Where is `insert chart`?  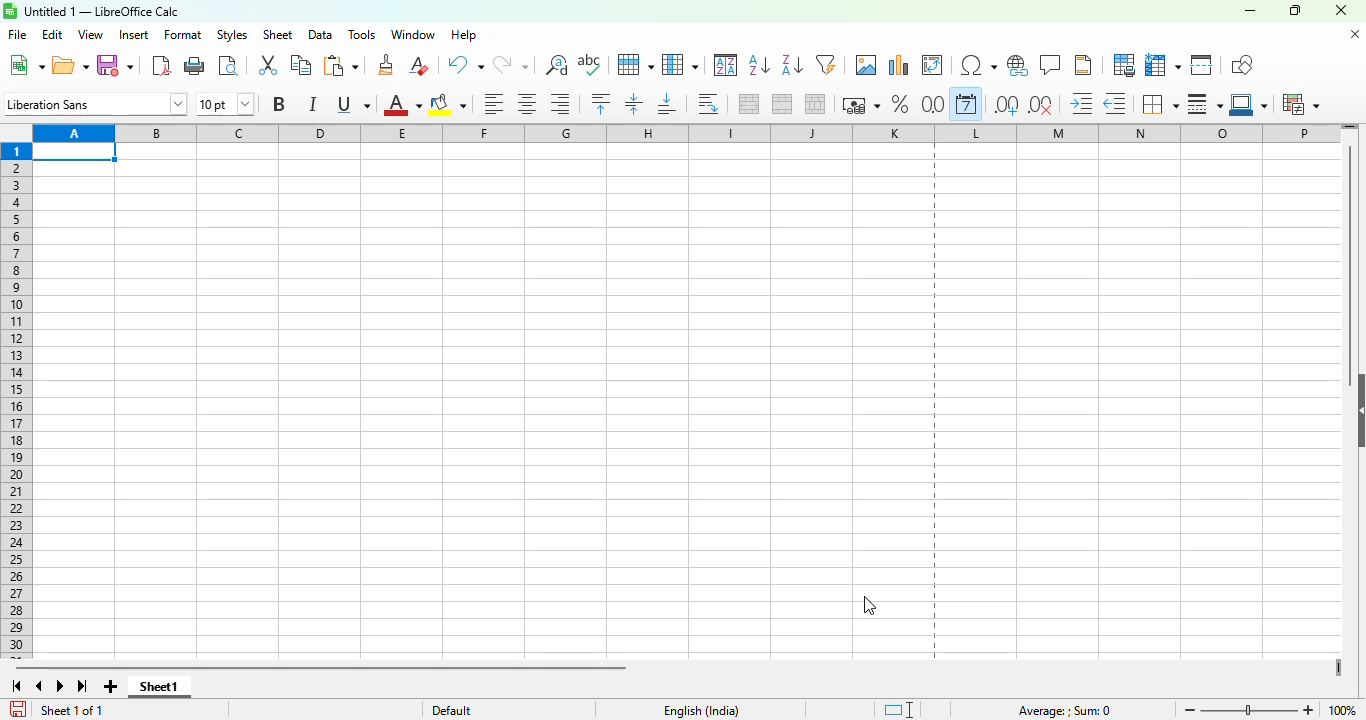
insert chart is located at coordinates (898, 65).